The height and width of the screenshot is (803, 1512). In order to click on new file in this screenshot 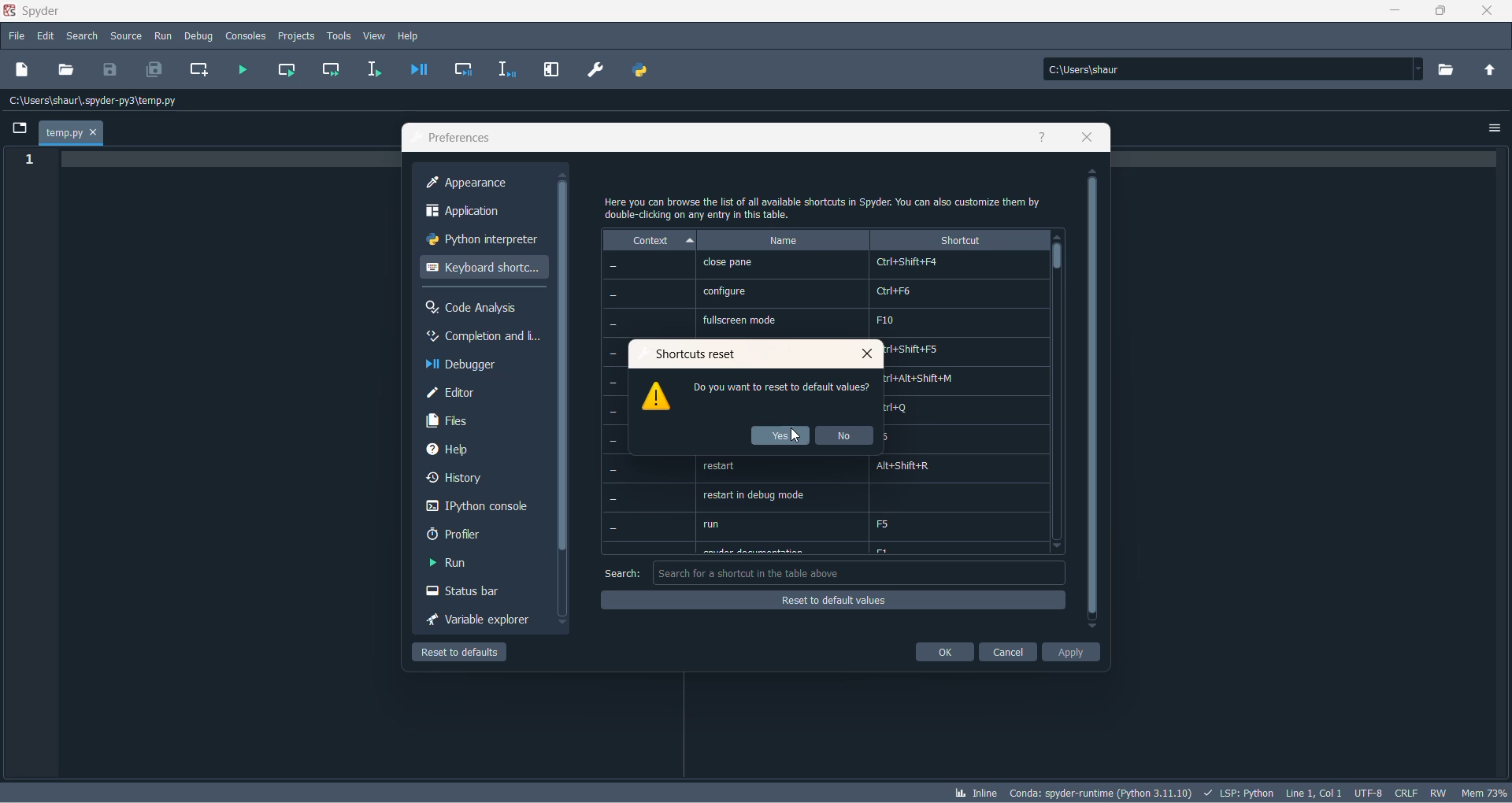, I will do `click(22, 70)`.